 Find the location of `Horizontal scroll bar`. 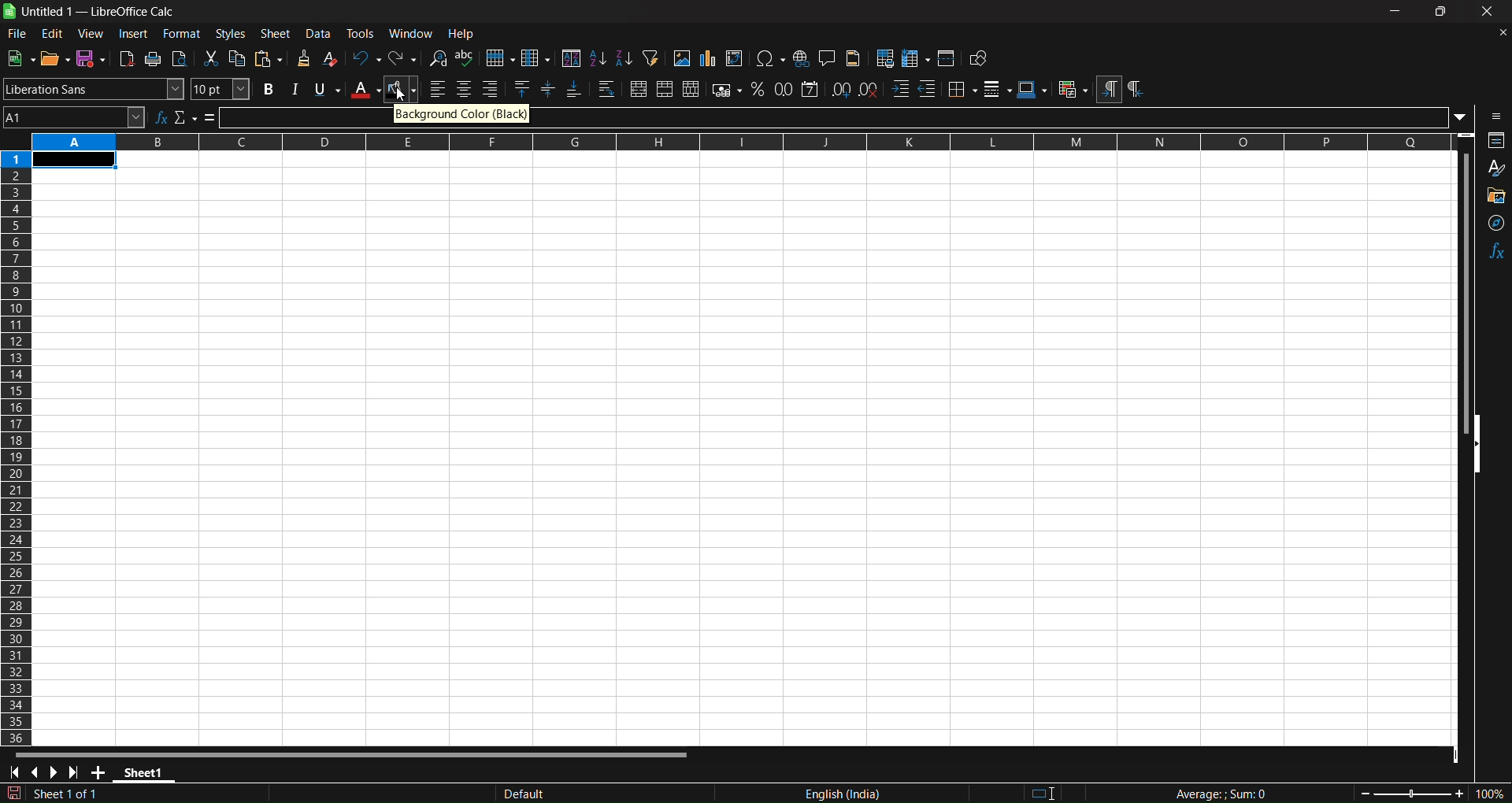

Horizontal scroll bar is located at coordinates (351, 757).